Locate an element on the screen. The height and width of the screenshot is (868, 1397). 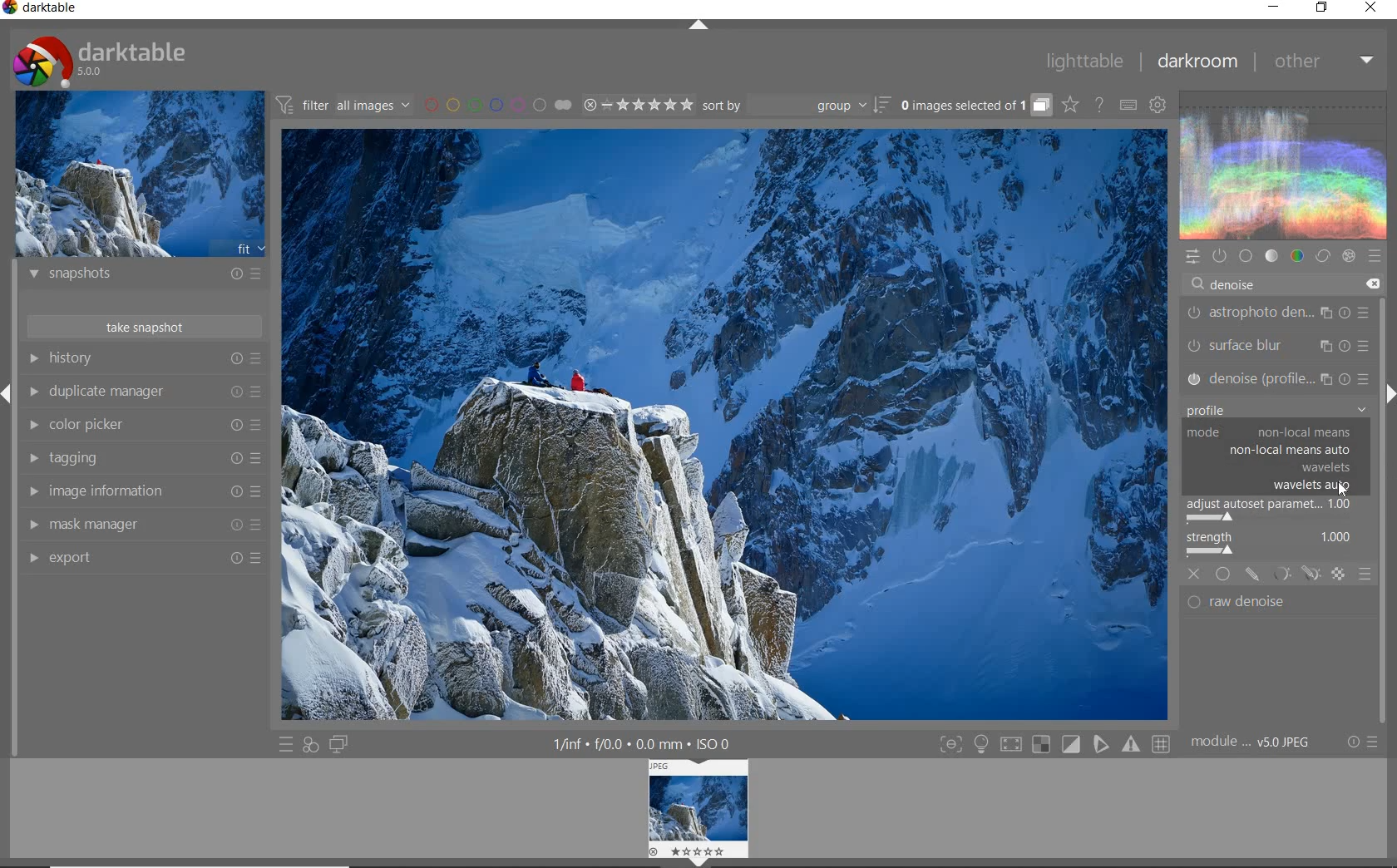
IMAGE is located at coordinates (700, 812).